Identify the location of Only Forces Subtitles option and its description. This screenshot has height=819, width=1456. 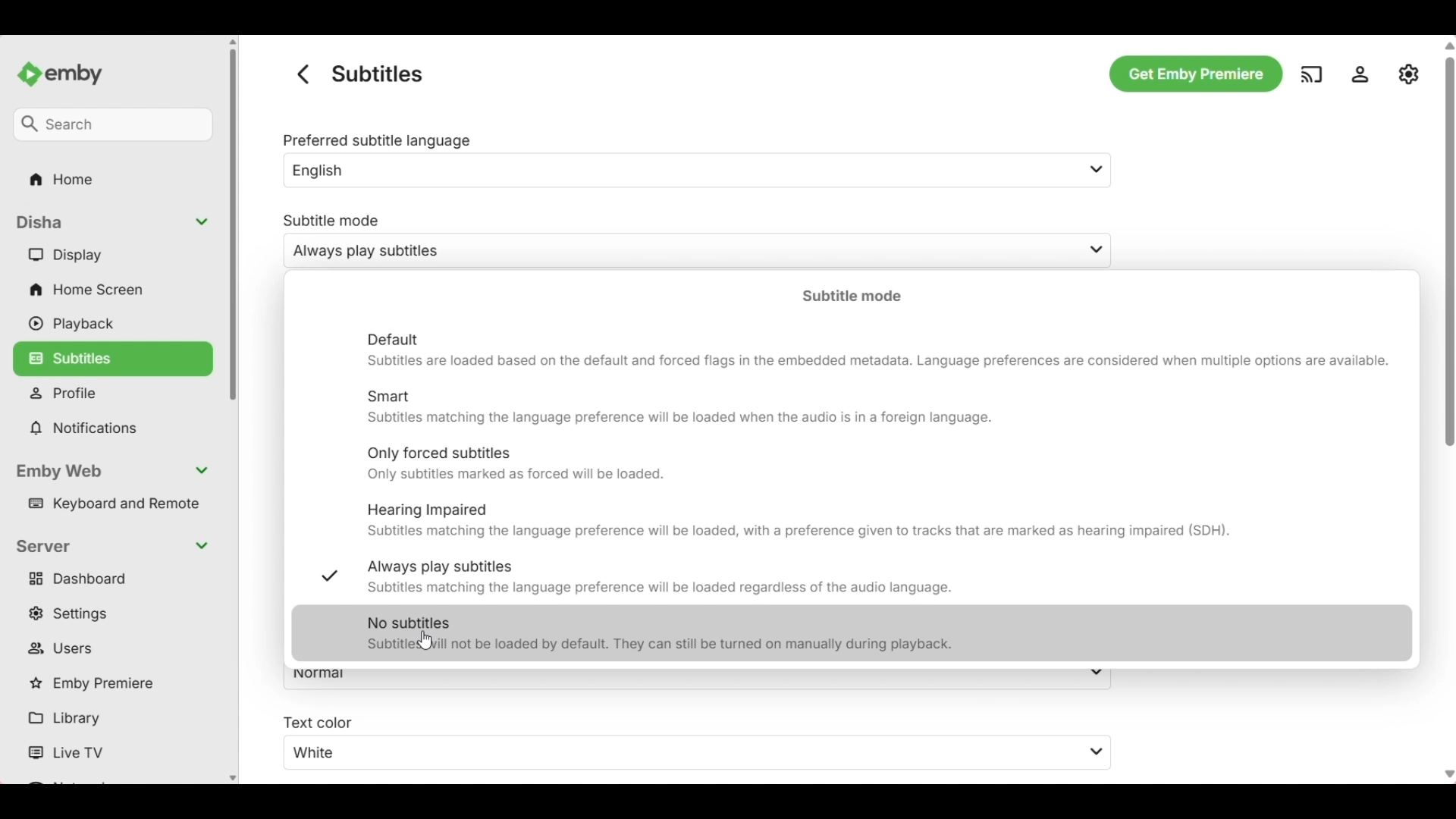
(879, 465).